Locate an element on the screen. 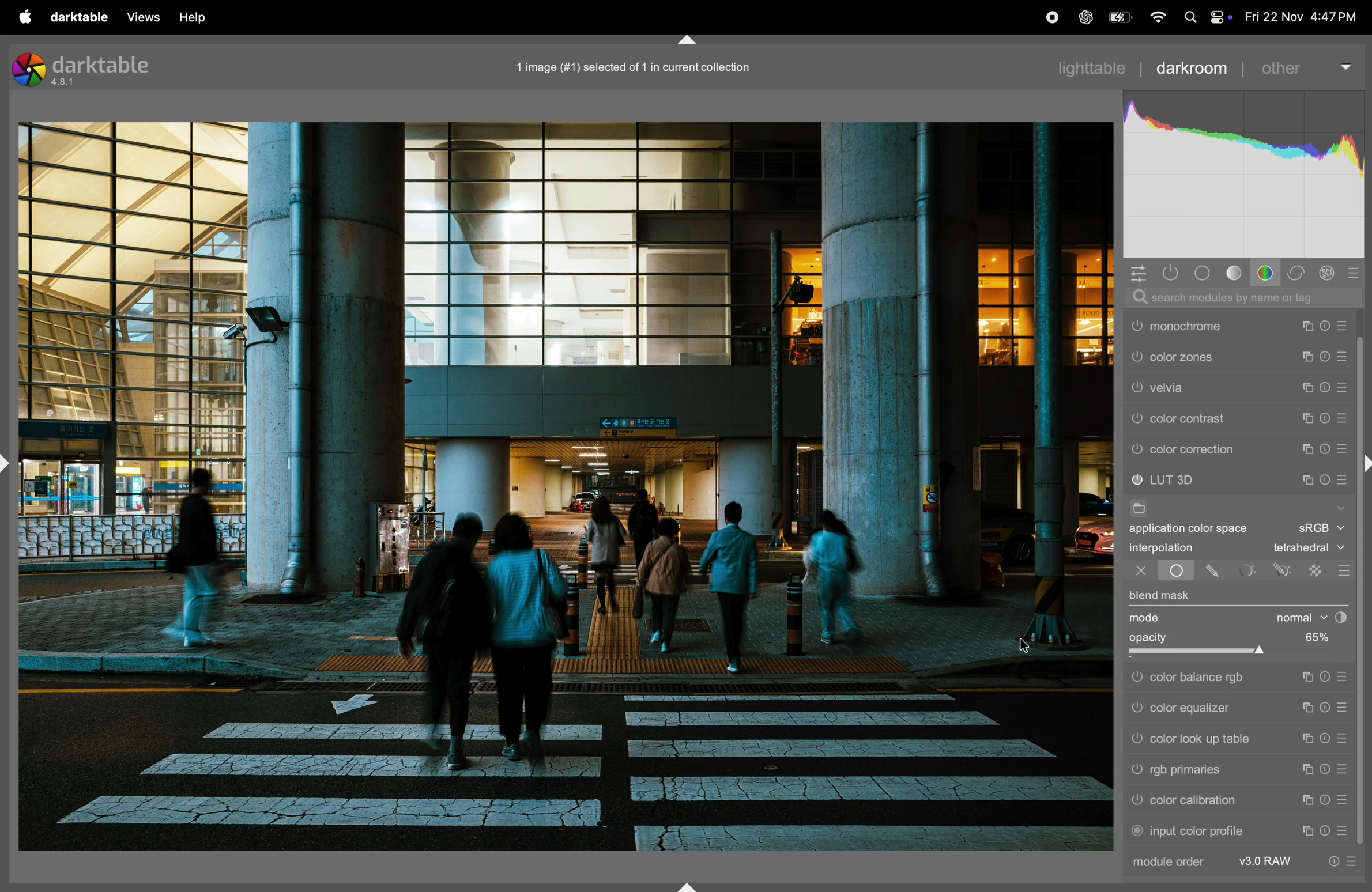  presets is located at coordinates (1345, 710).